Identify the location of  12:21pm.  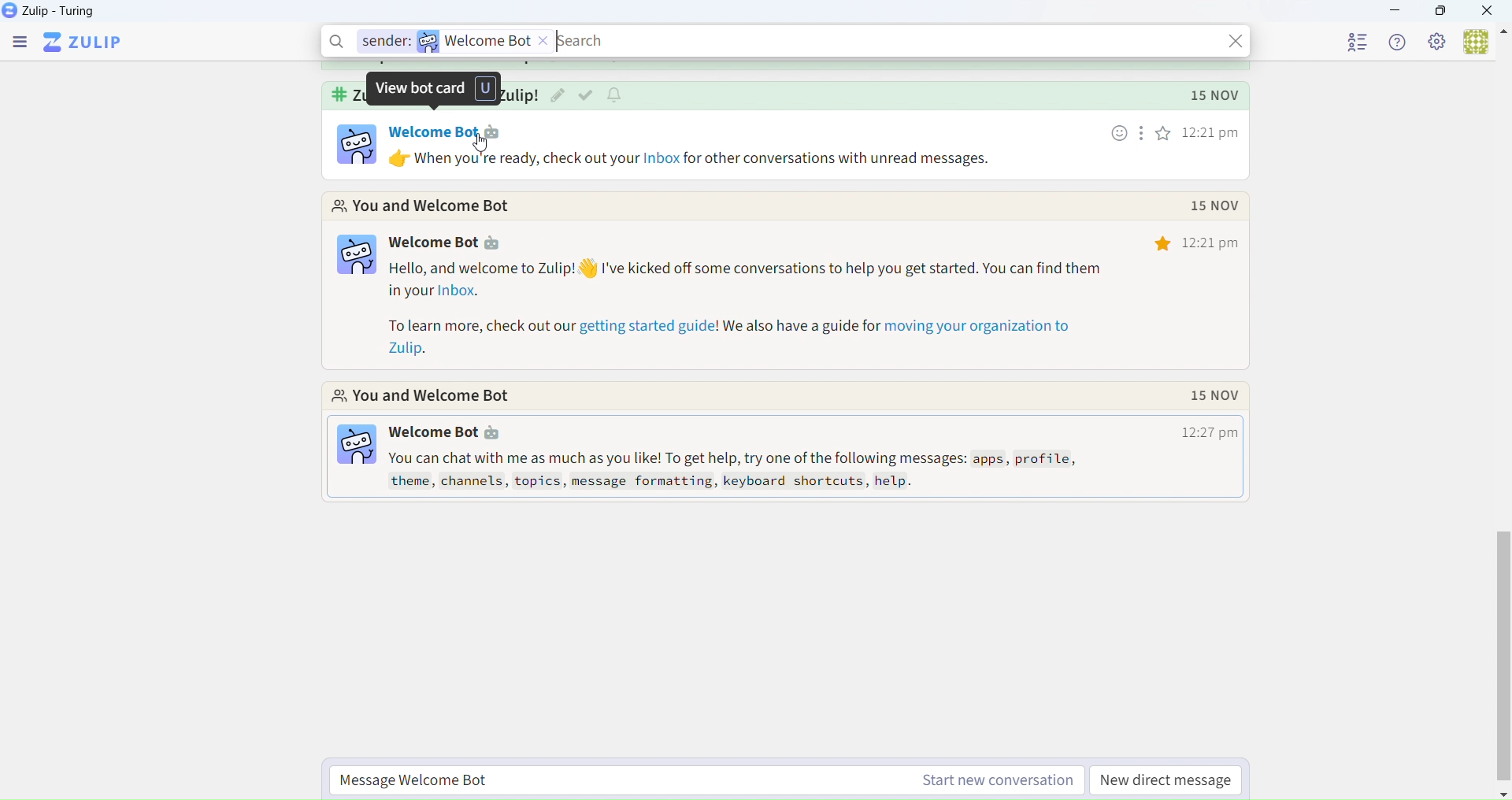
(1212, 246).